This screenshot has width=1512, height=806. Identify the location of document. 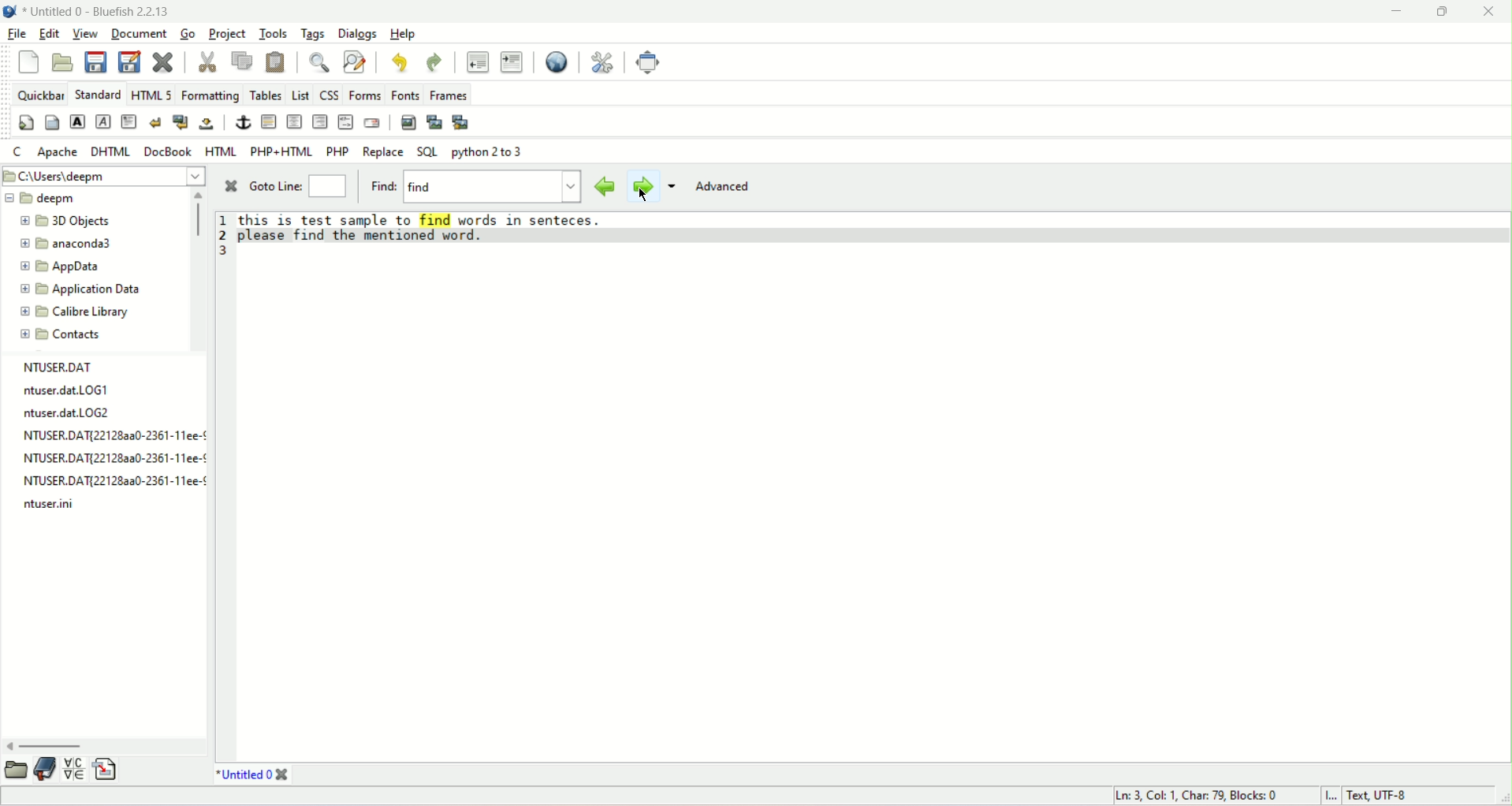
(138, 33).